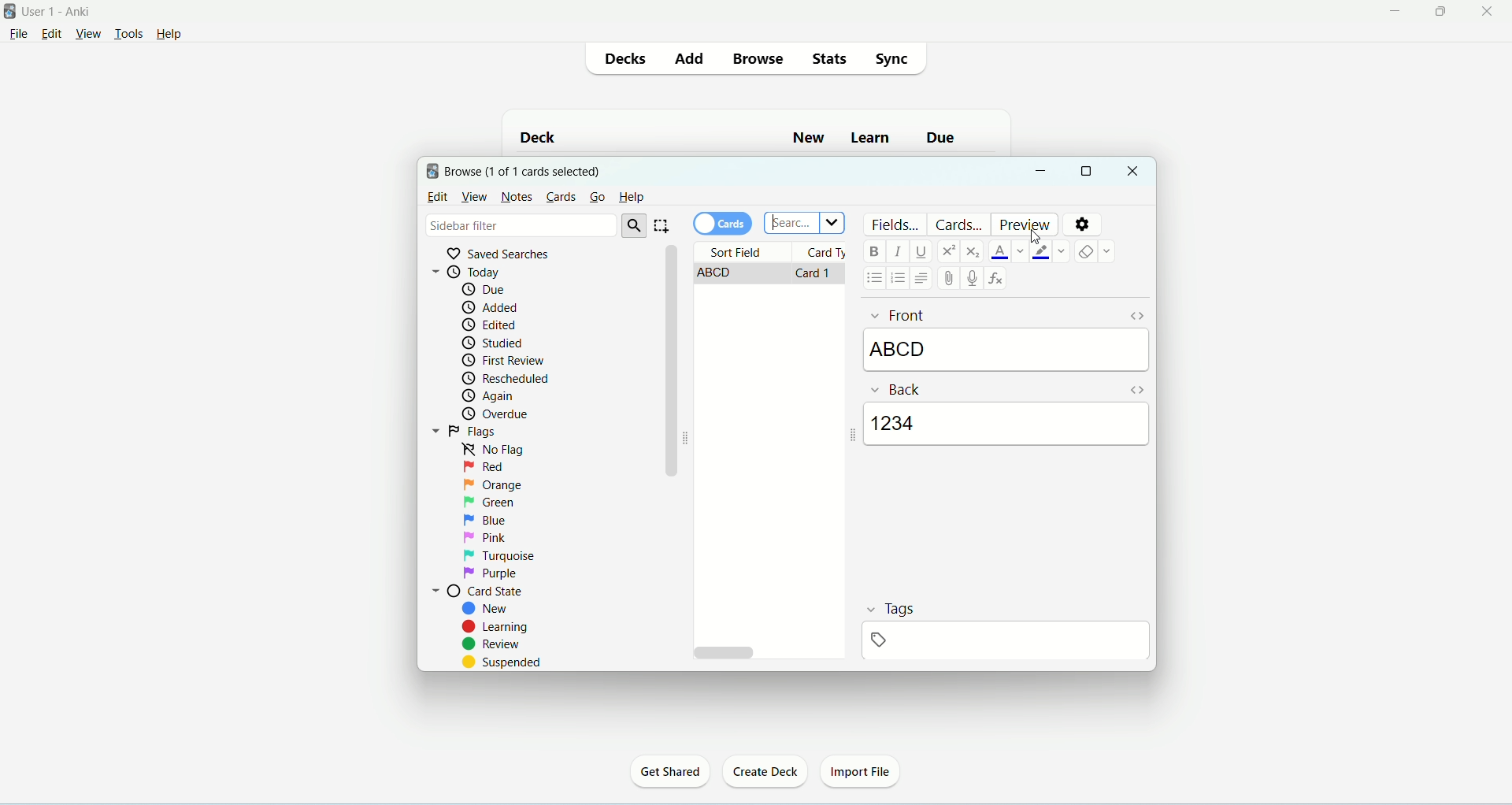 The image size is (1512, 805). I want to click on cards, so click(959, 224).